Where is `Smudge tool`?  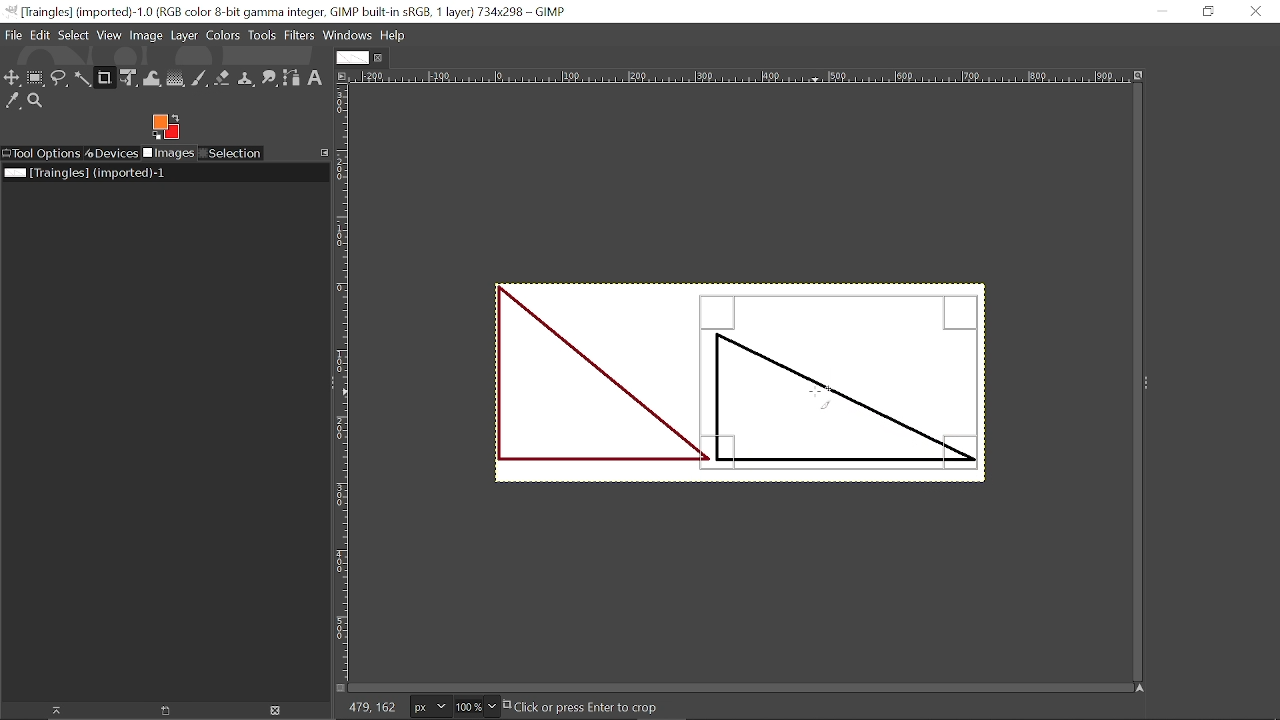
Smudge tool is located at coordinates (268, 79).